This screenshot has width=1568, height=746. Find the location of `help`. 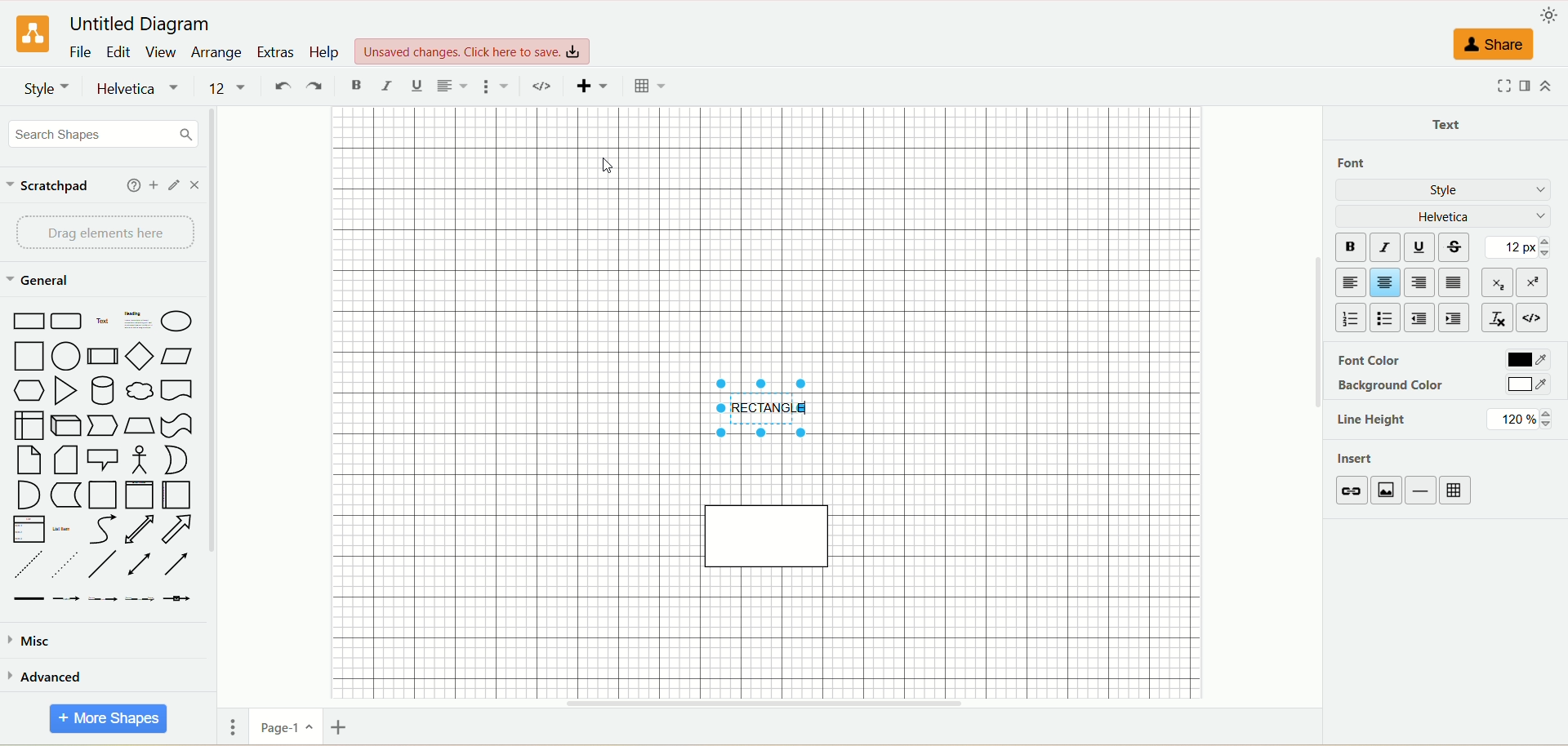

help is located at coordinates (126, 187).